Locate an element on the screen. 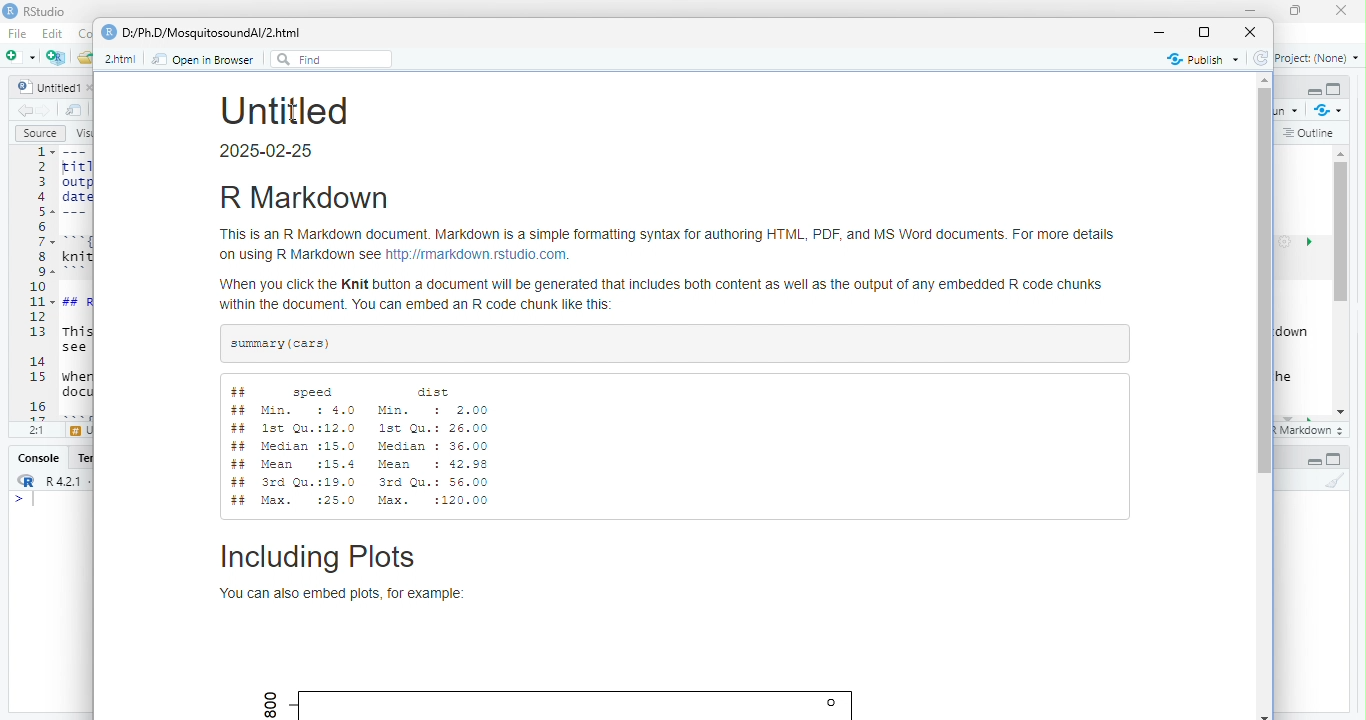  Untitied1 is located at coordinates (49, 87).